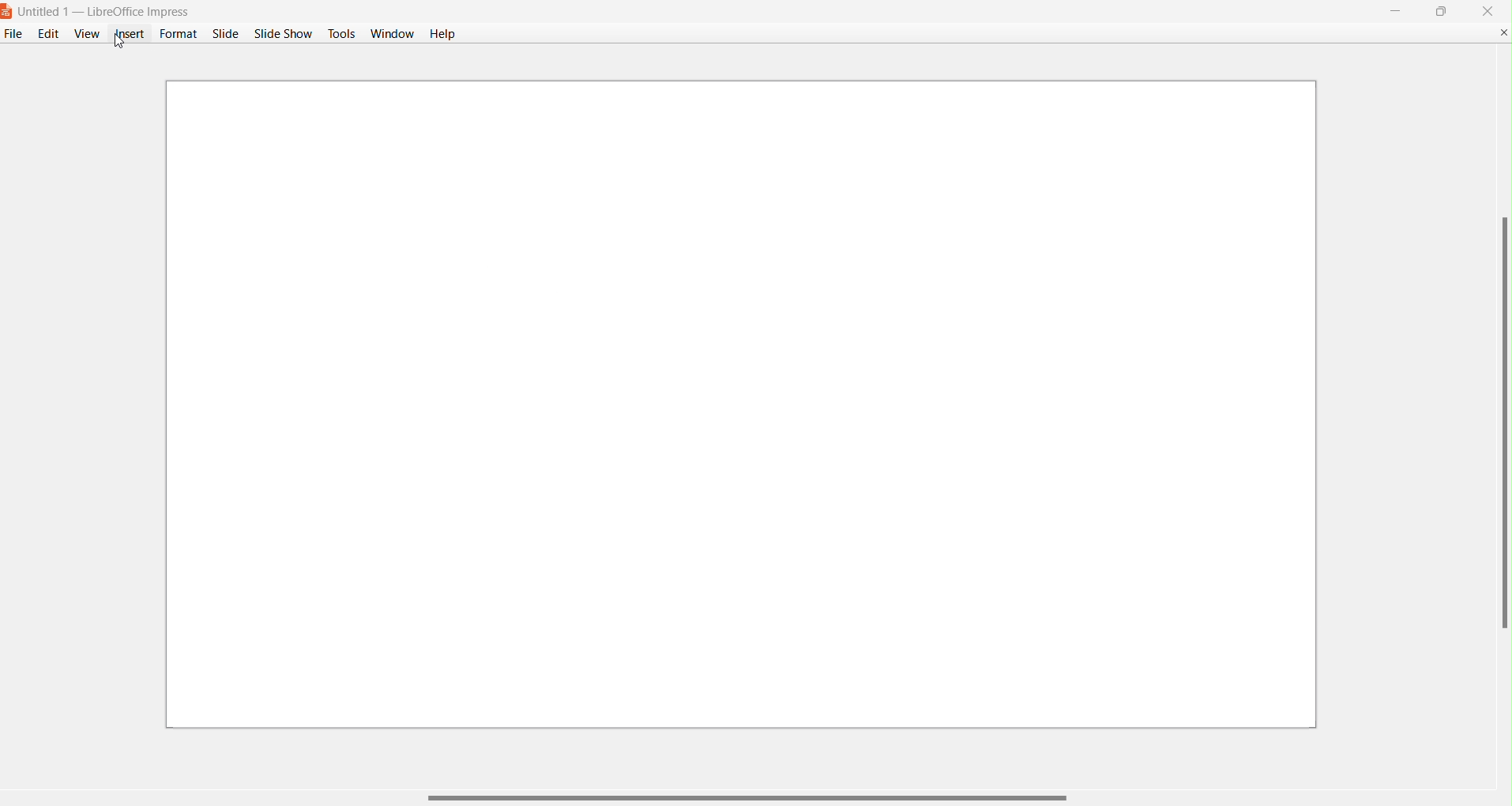 This screenshot has height=806, width=1512. Describe the element at coordinates (742, 404) in the screenshot. I see `Presentation Slide` at that location.